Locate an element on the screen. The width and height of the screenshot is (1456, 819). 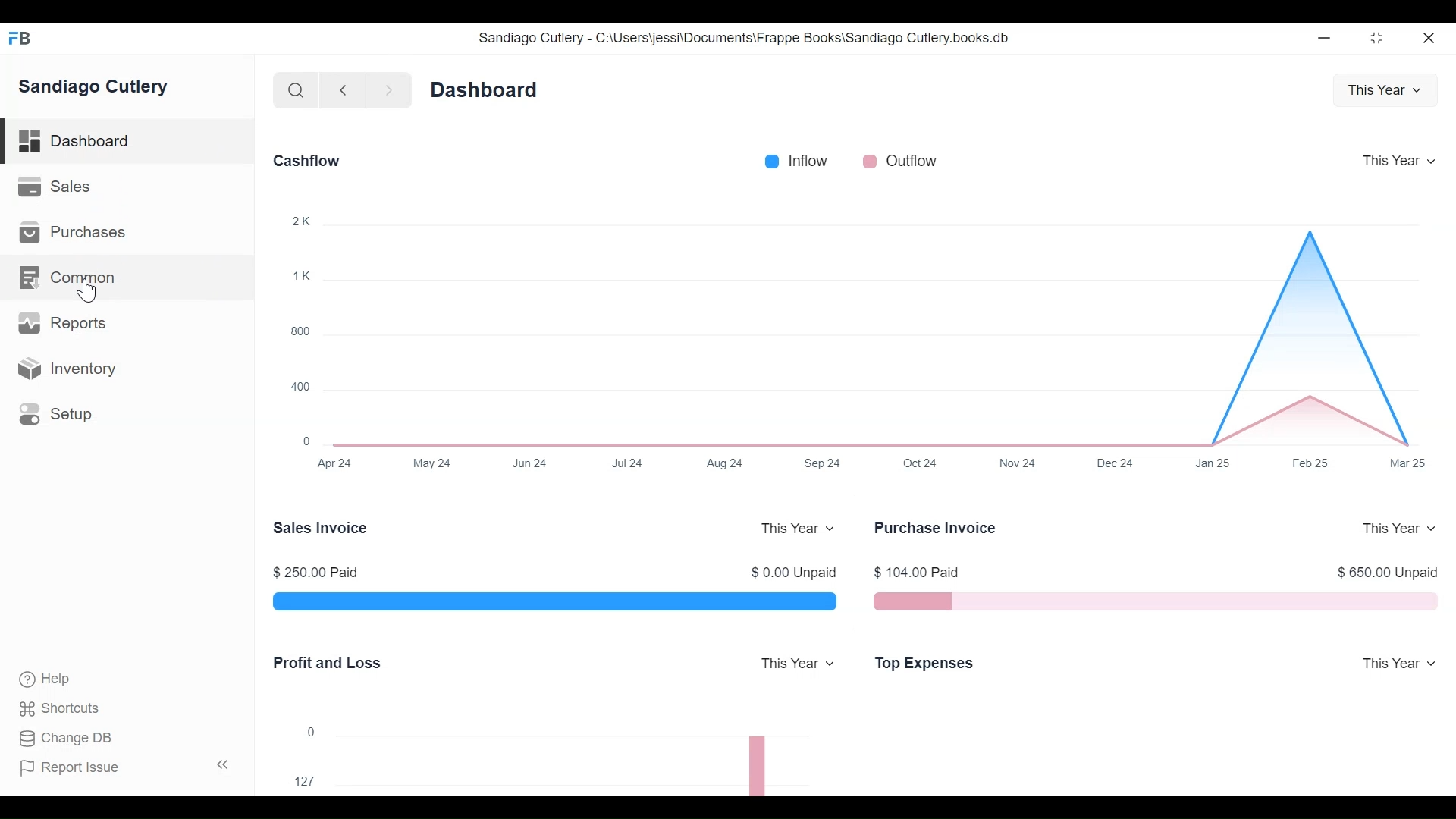
minimize is located at coordinates (1378, 37).